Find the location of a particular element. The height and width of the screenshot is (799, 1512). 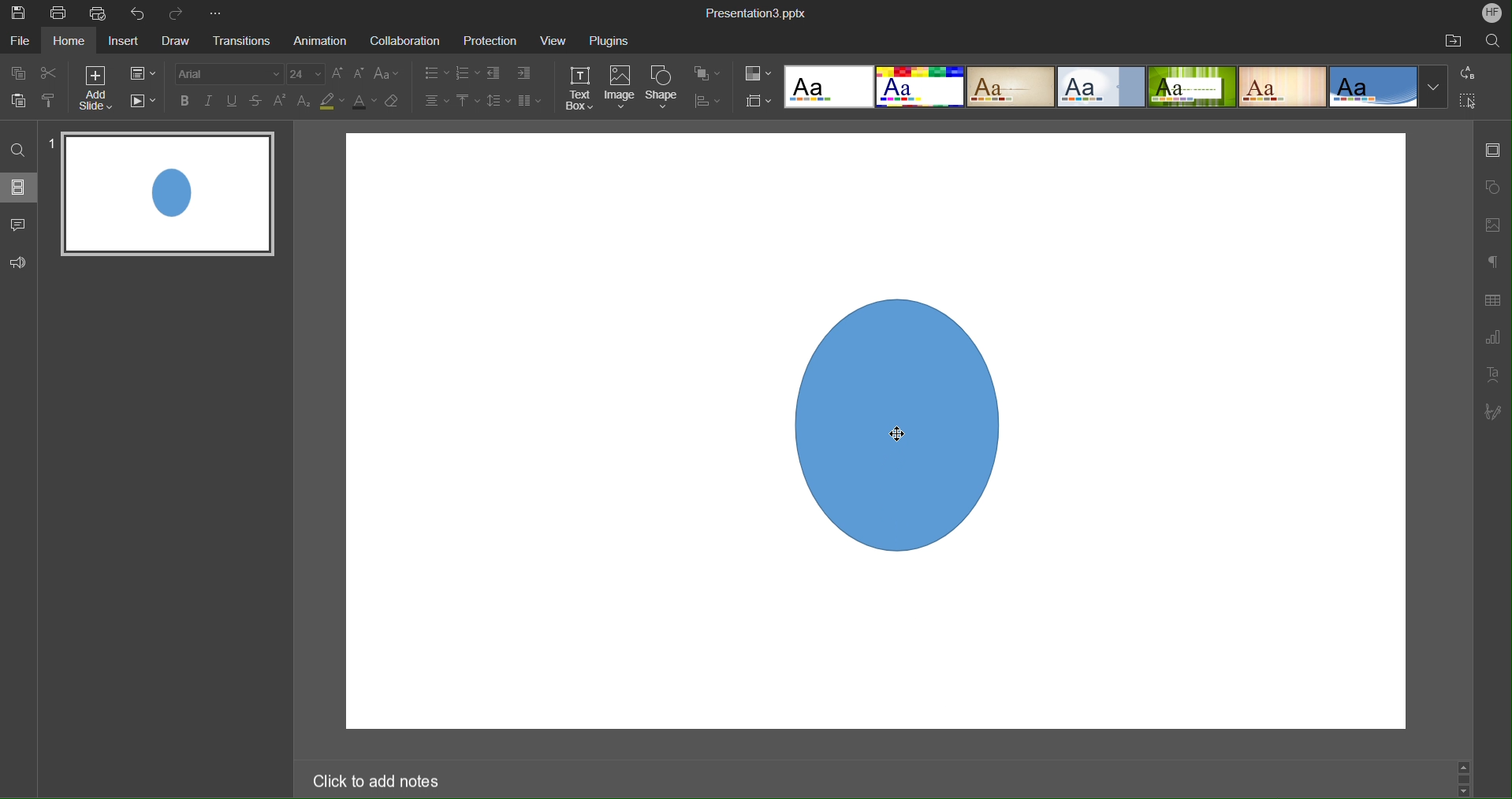

Superscript is located at coordinates (280, 103).